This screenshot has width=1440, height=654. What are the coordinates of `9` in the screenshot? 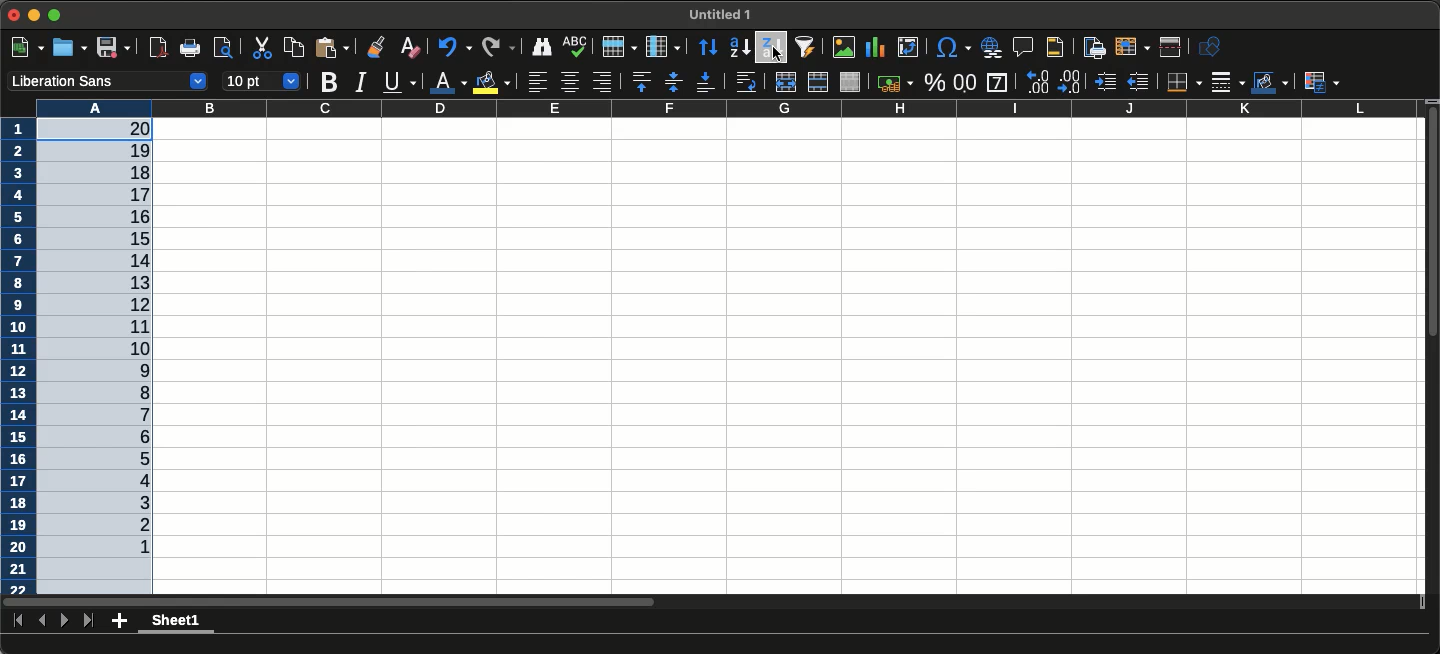 It's located at (131, 305).